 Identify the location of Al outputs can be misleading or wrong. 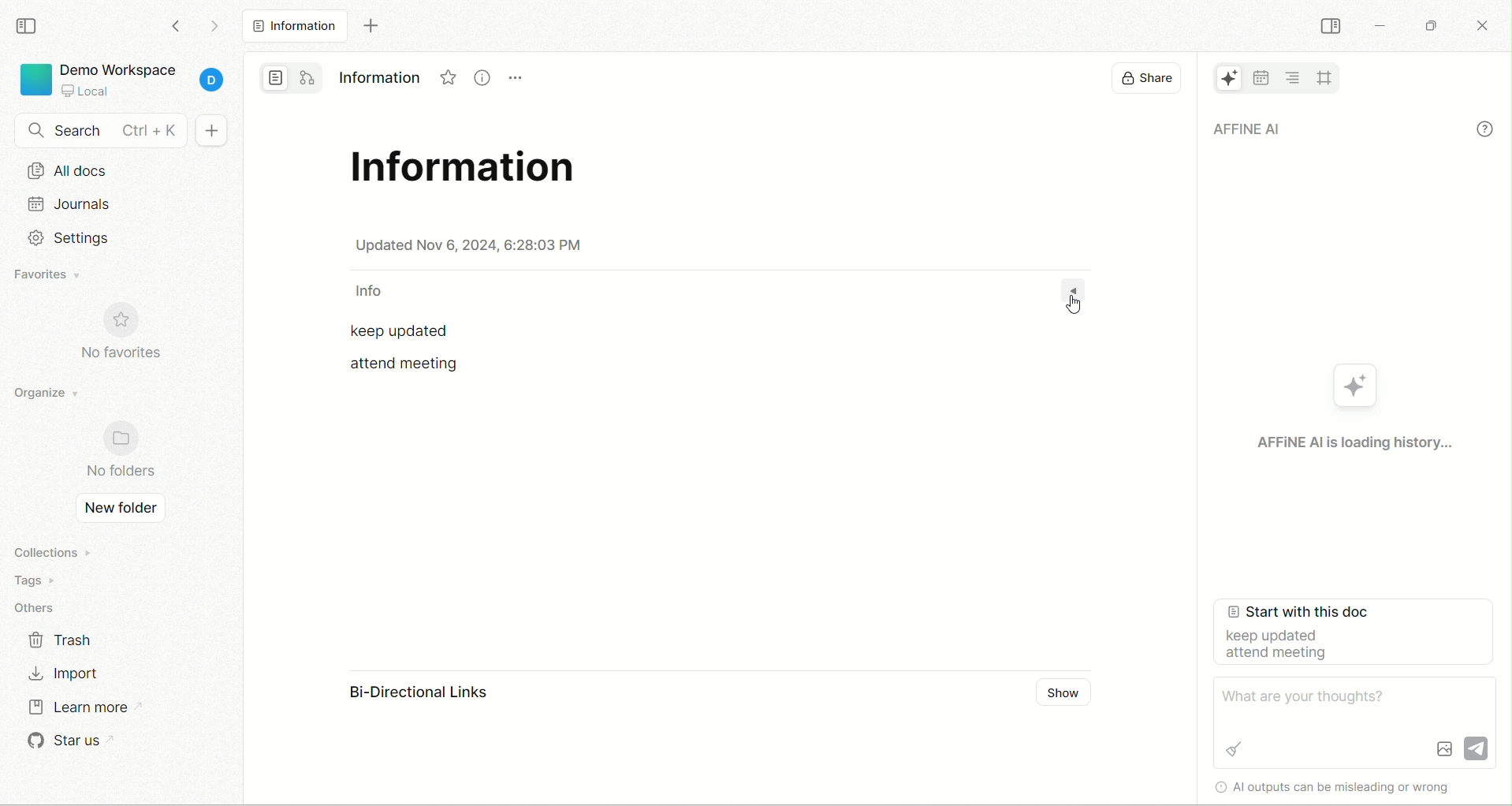
(1335, 789).